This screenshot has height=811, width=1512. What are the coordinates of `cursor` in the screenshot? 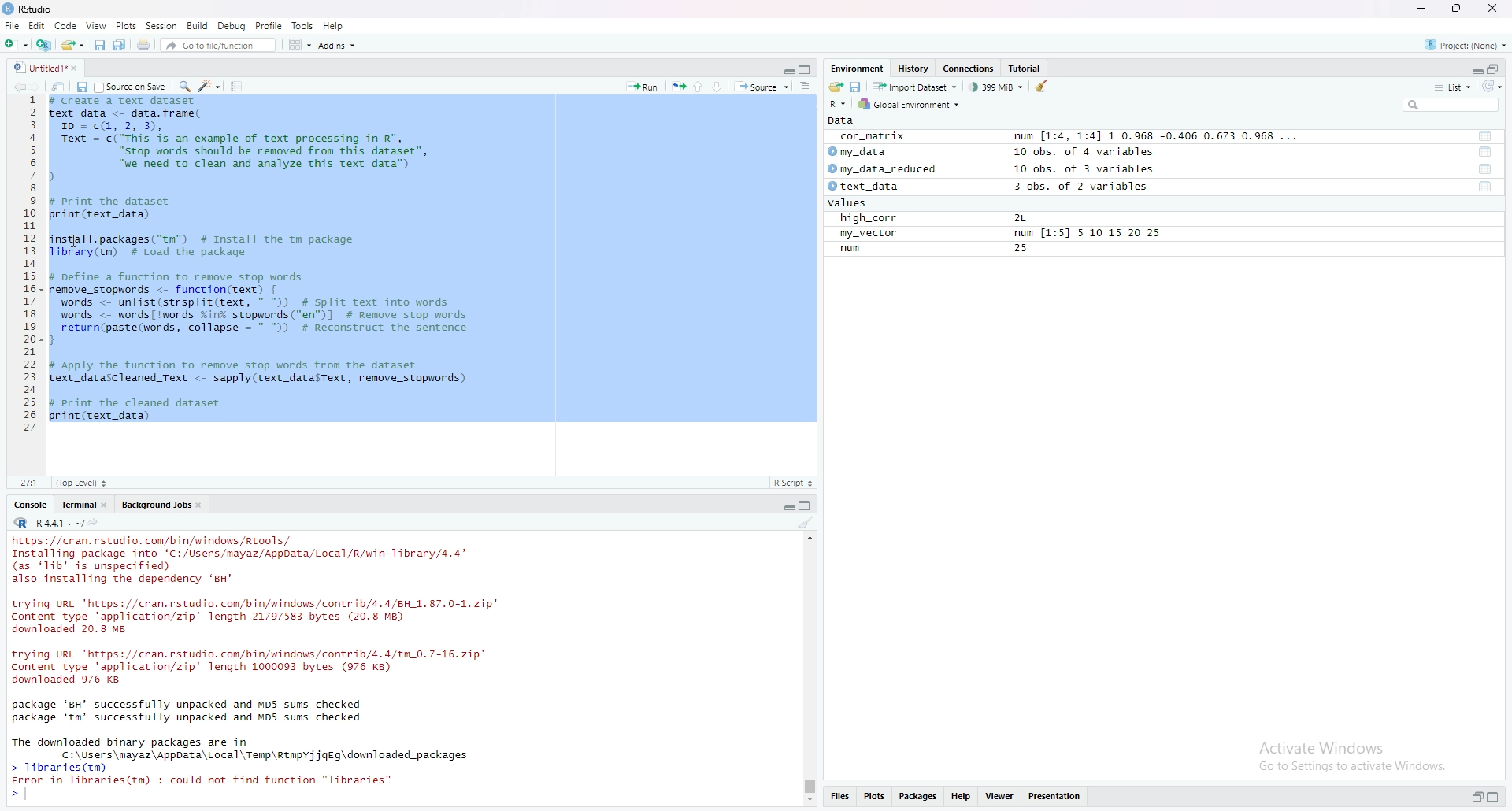 It's located at (78, 242).